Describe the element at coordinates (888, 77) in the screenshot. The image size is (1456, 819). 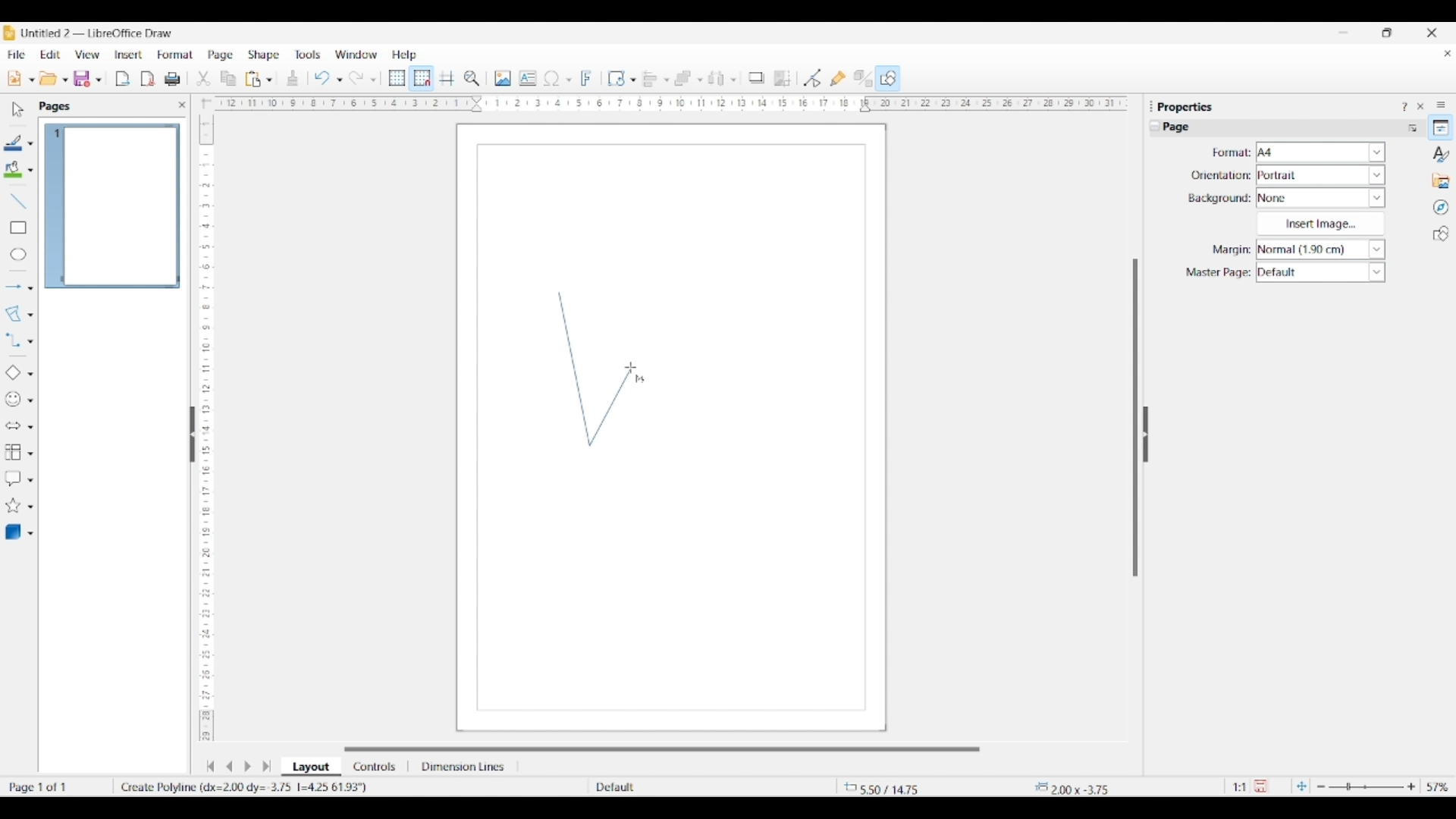
I see `Show draw functions` at that location.